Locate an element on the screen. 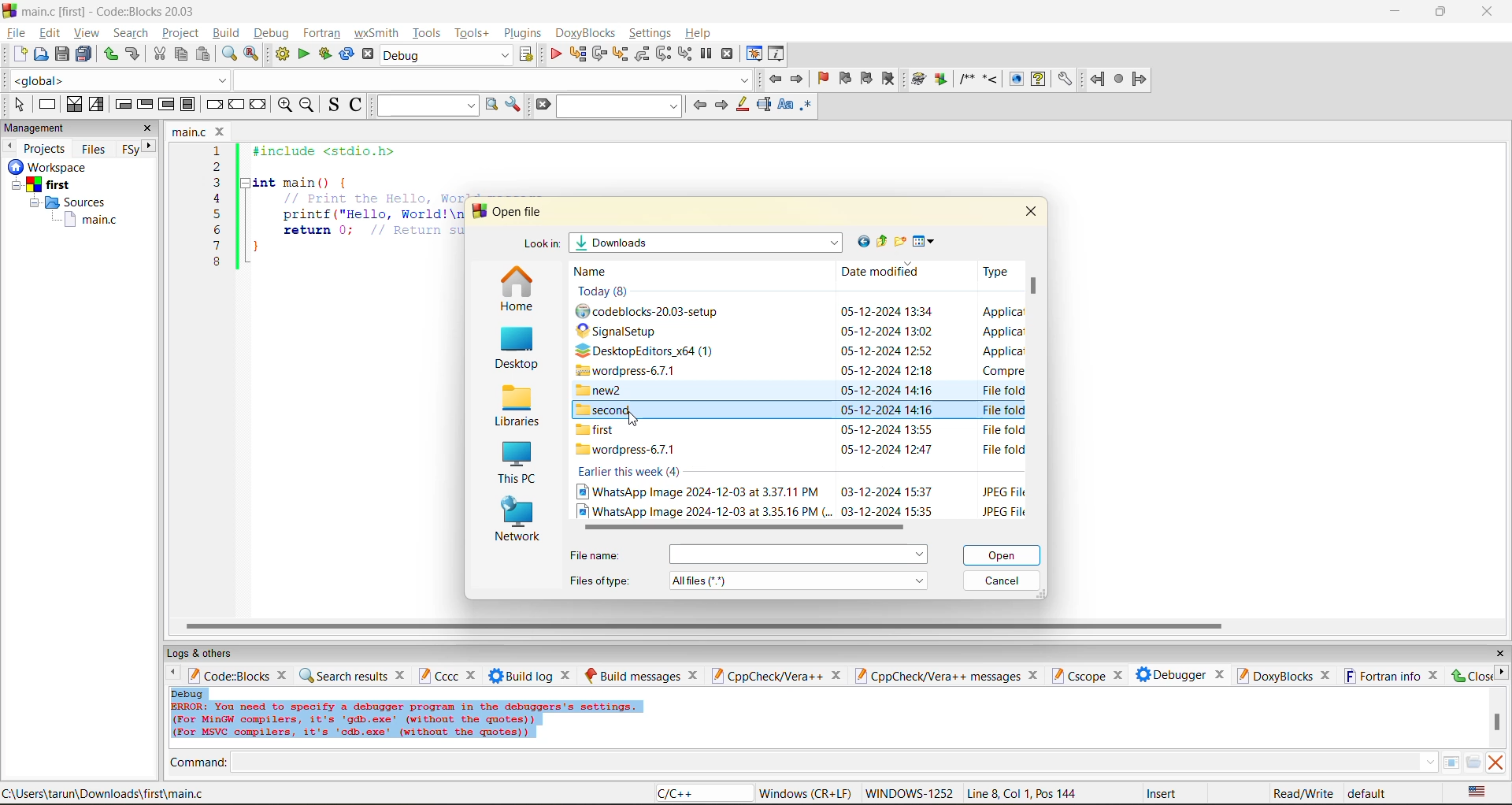 Image resolution: width=1512 pixels, height=805 pixels. file type is located at coordinates (600, 579).